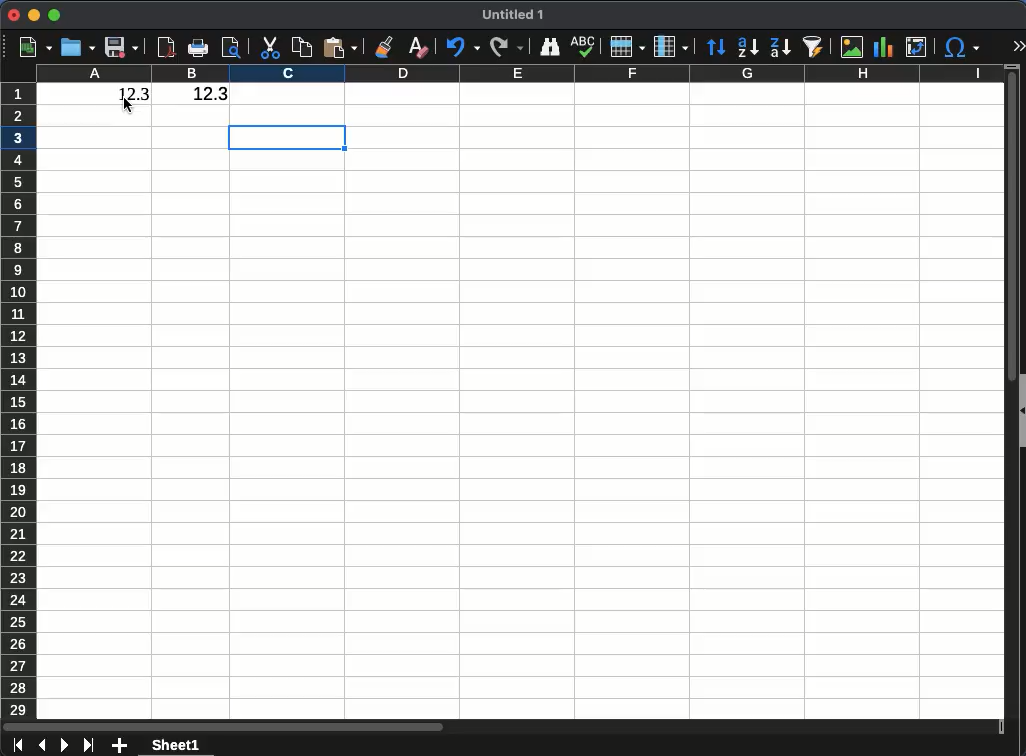 This screenshot has width=1026, height=756. Describe the element at coordinates (512, 15) in the screenshot. I see `untitled 1` at that location.